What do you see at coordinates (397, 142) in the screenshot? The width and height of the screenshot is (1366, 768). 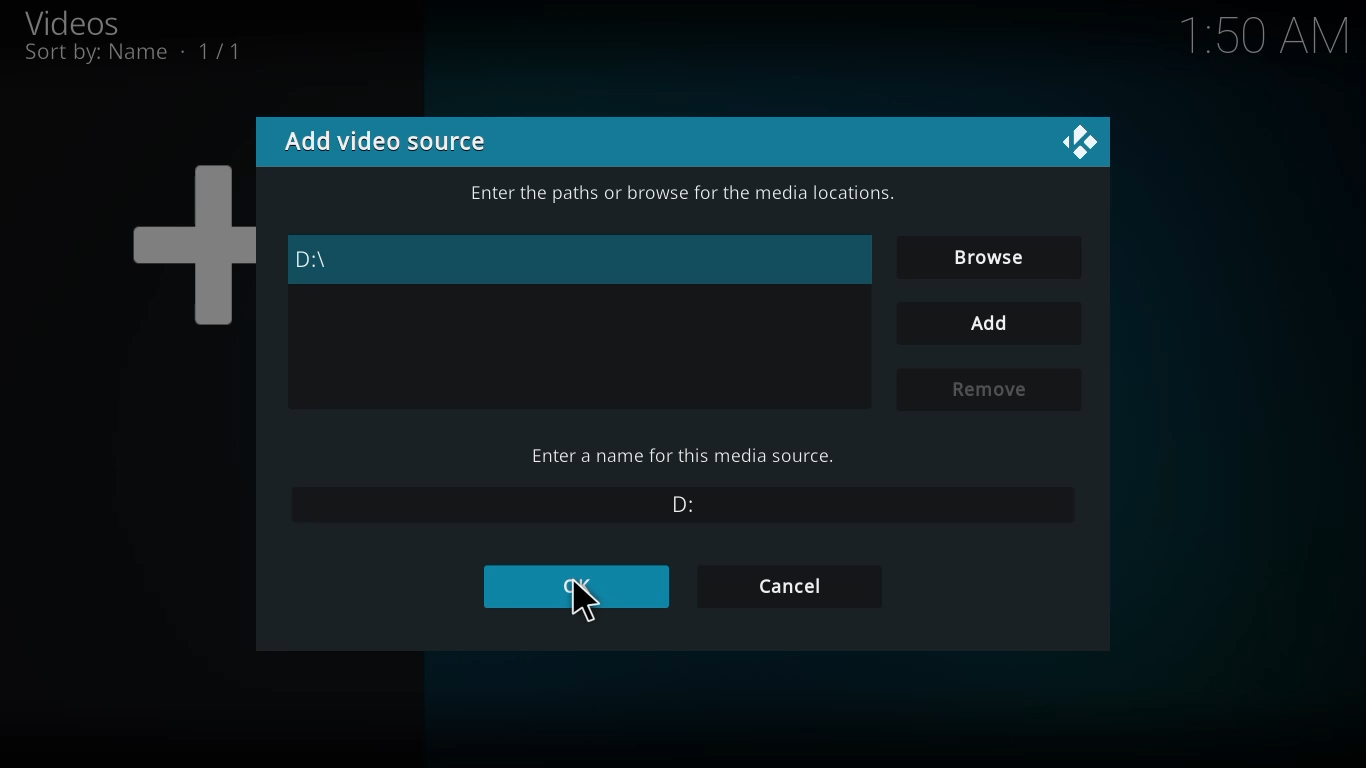 I see `add video source` at bounding box center [397, 142].